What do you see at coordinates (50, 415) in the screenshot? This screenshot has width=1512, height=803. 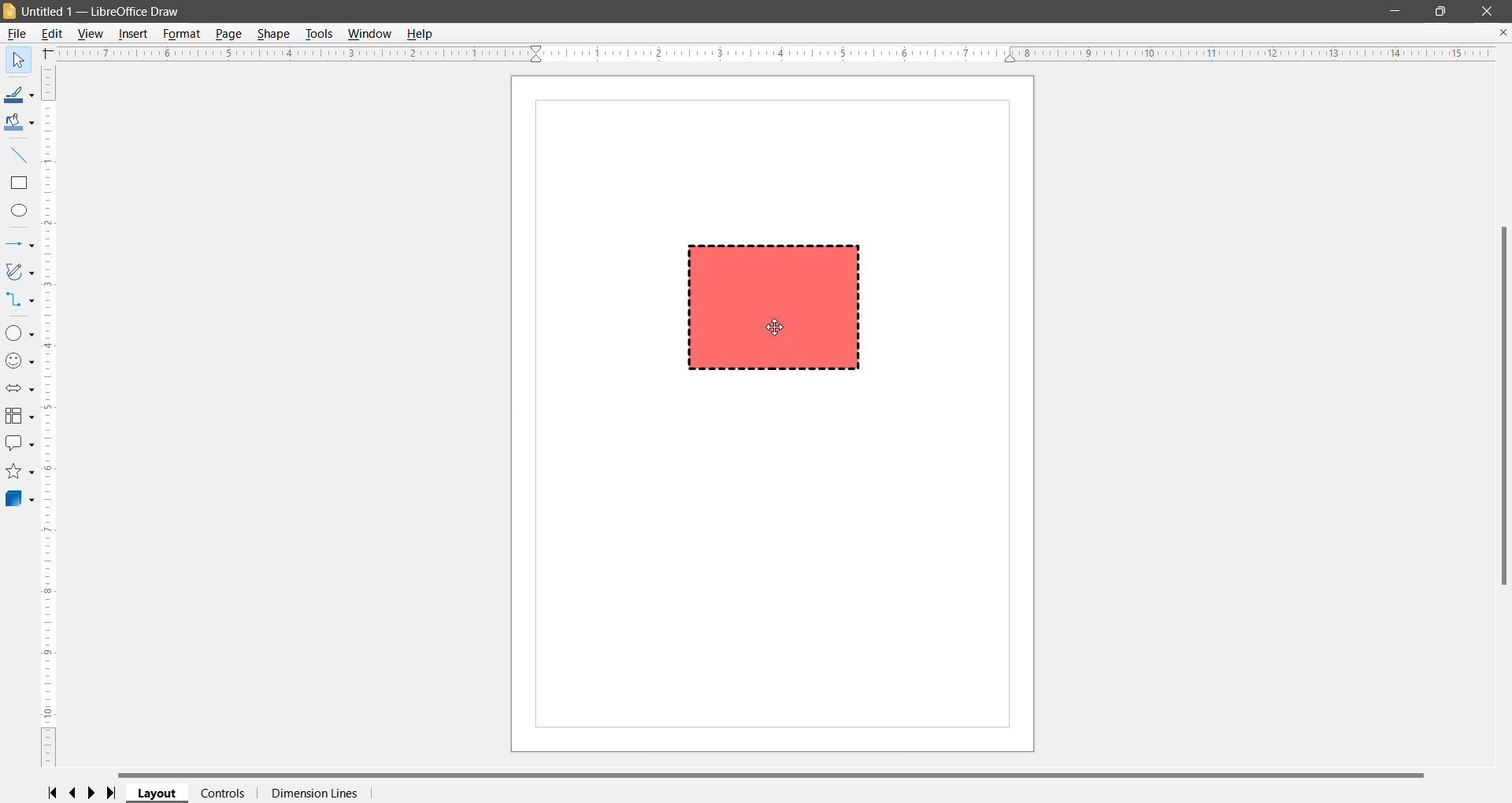 I see `Vertical Scroll Bar` at bounding box center [50, 415].